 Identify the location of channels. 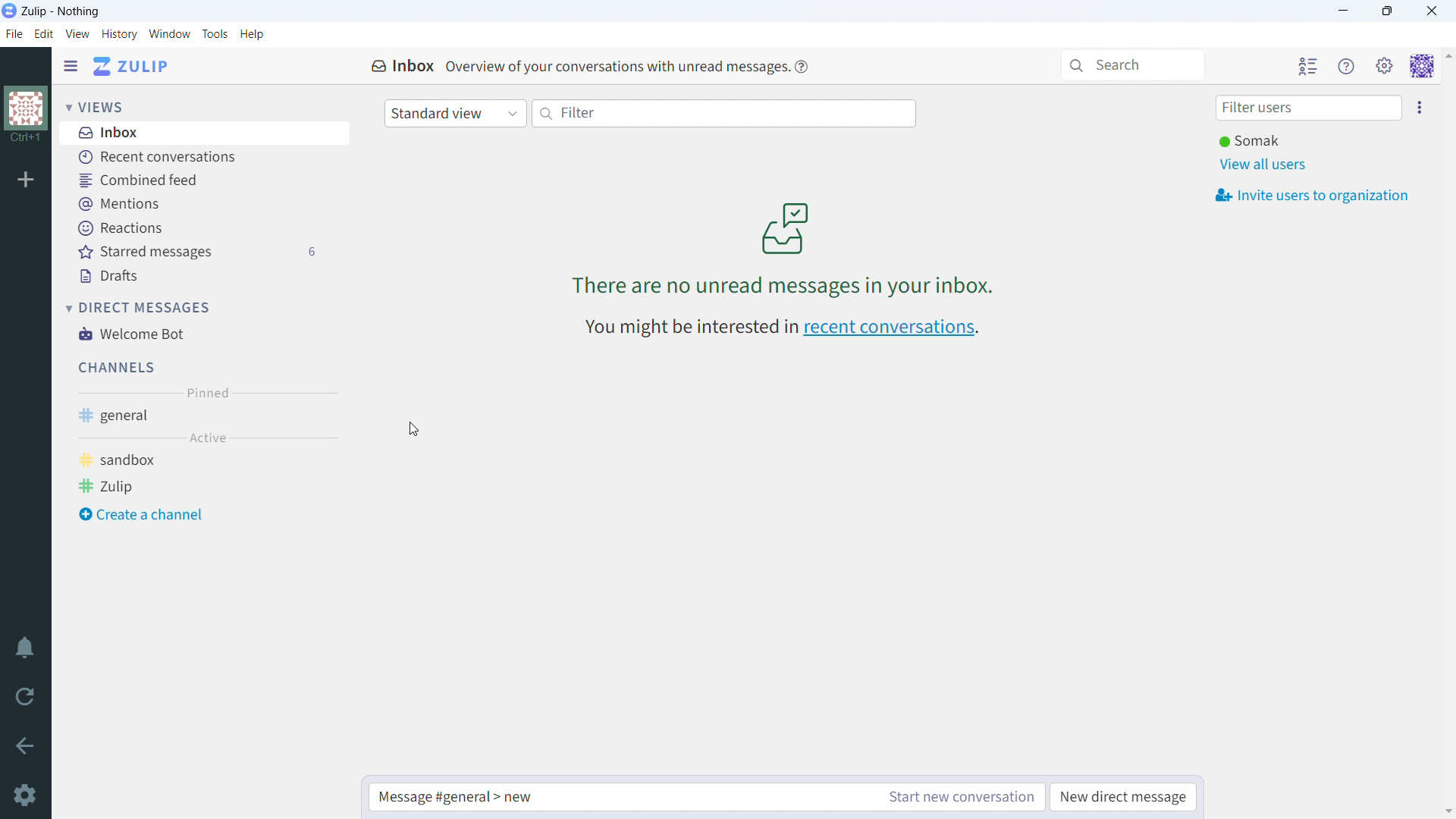
(116, 368).